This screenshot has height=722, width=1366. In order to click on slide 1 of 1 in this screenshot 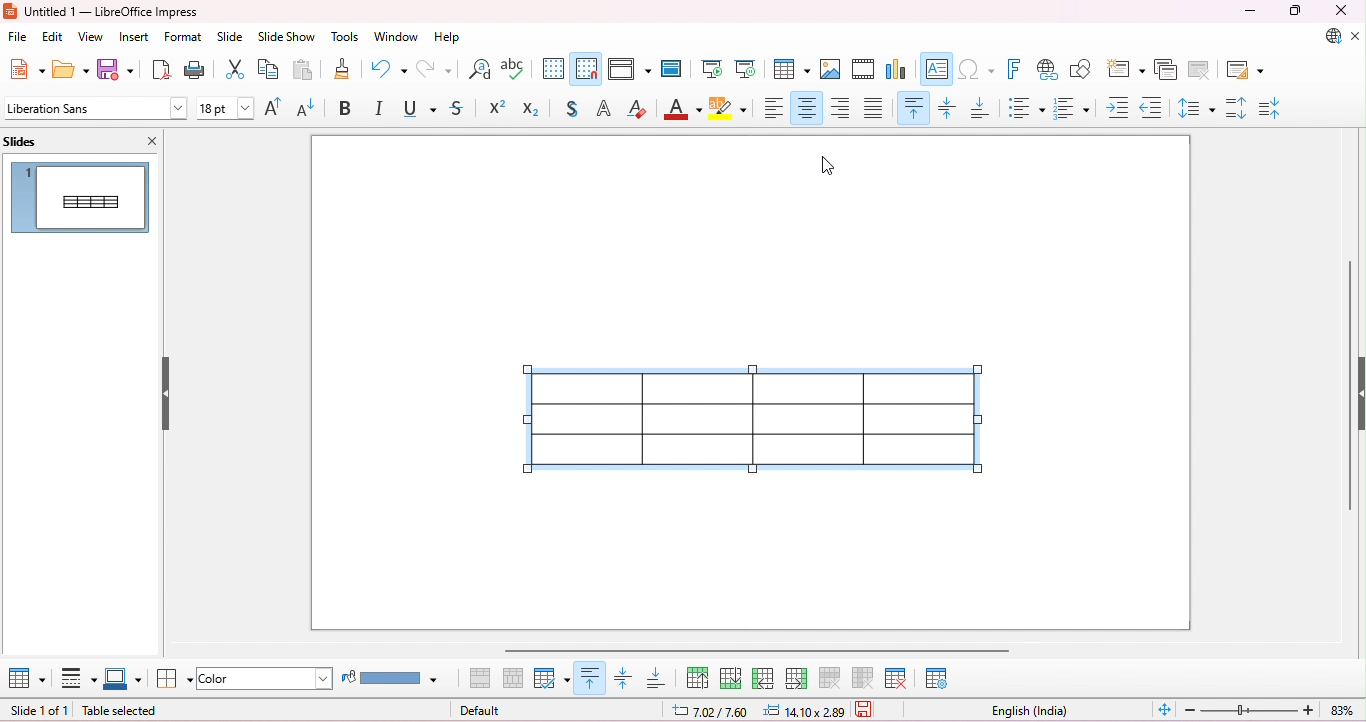, I will do `click(40, 711)`.